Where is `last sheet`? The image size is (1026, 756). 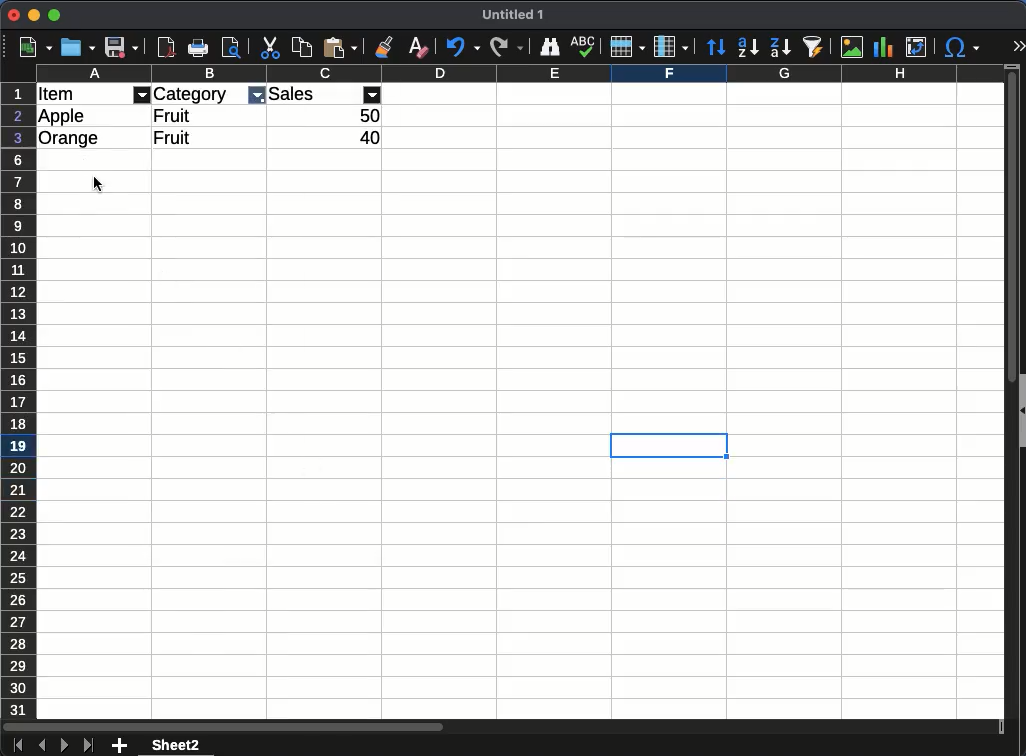 last sheet is located at coordinates (88, 746).